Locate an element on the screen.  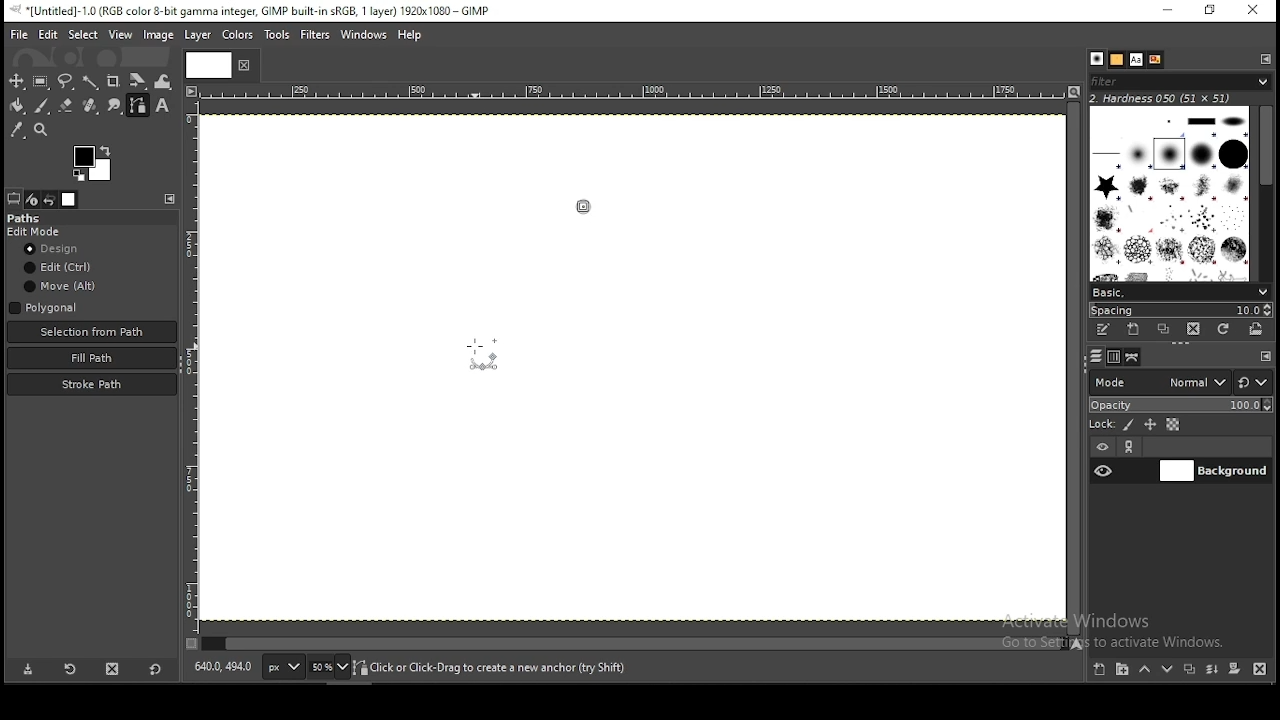
opacity is located at coordinates (1180, 406).